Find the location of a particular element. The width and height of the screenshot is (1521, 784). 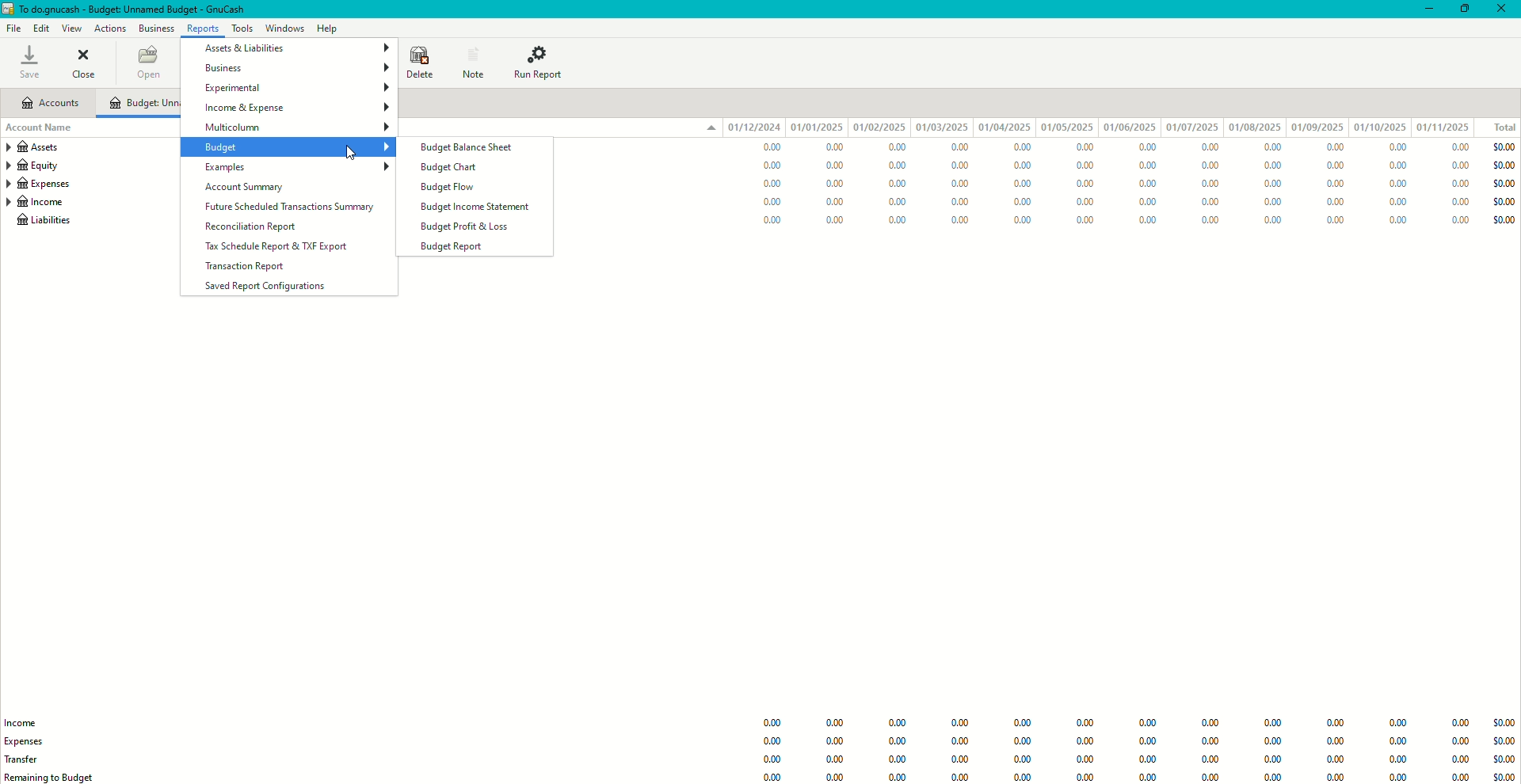

0.00 is located at coordinates (1271, 762).